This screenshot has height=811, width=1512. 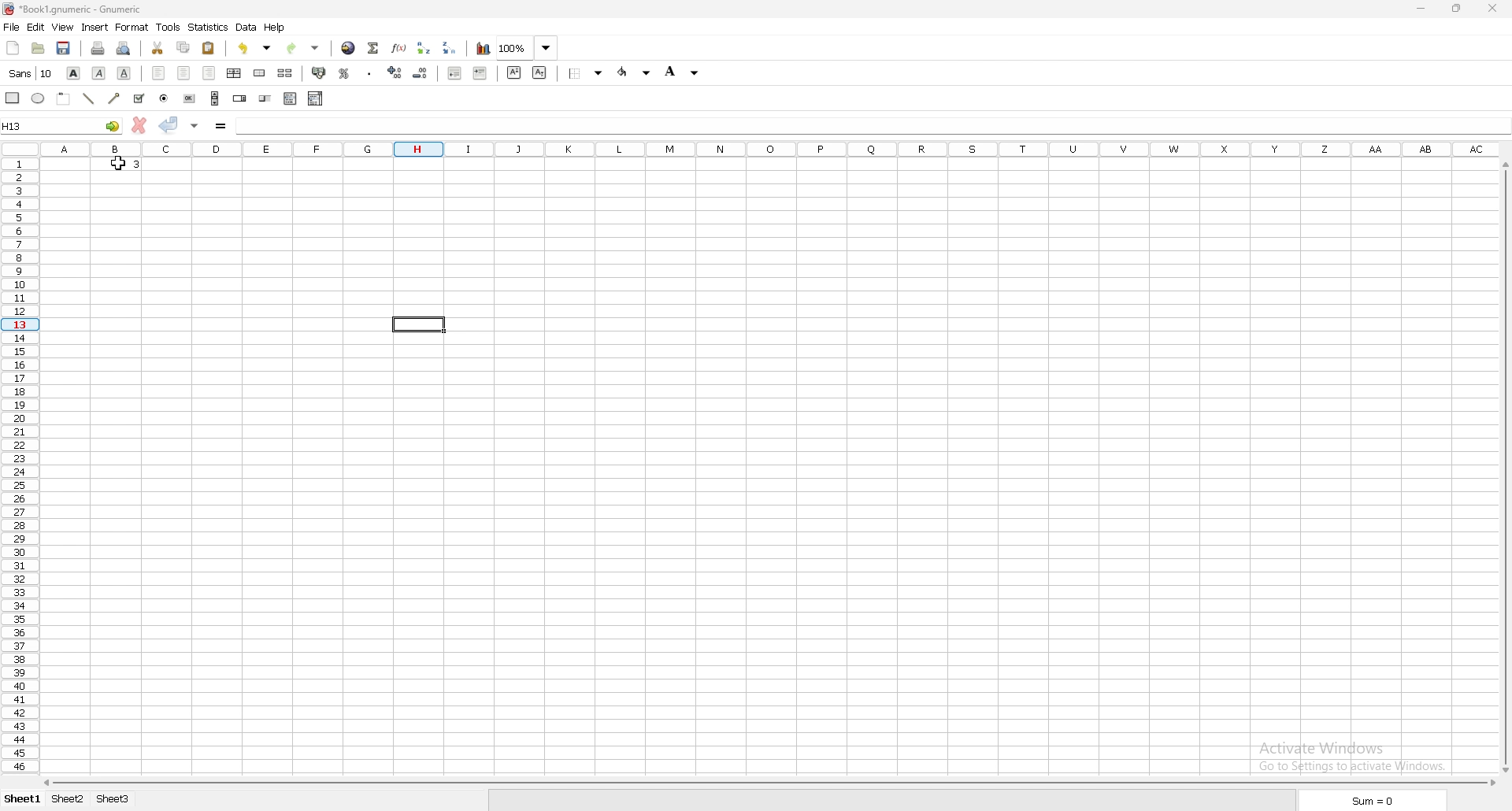 What do you see at coordinates (456, 74) in the screenshot?
I see `decrease indent` at bounding box center [456, 74].